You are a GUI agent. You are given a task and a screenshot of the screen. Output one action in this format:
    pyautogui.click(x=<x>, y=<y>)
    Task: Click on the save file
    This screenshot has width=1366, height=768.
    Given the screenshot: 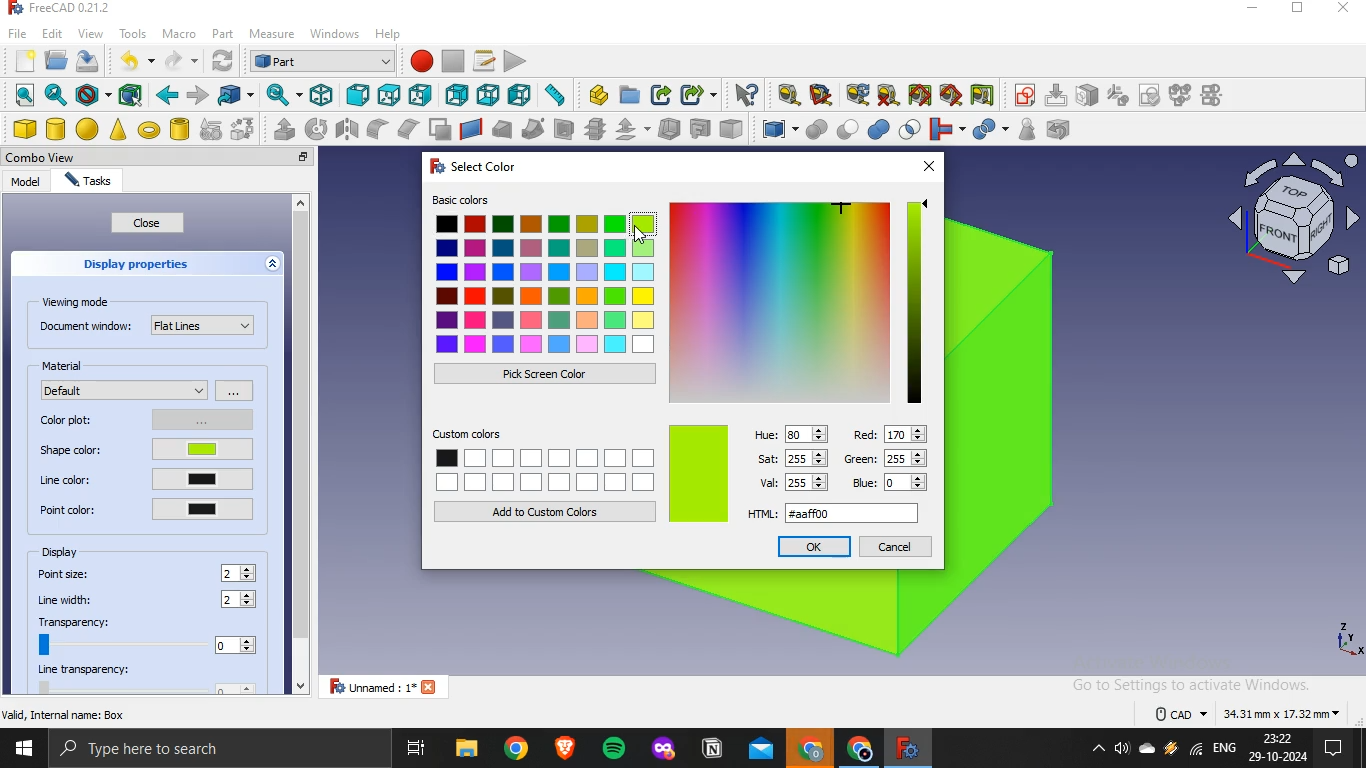 What is the action you would take?
    pyautogui.click(x=88, y=61)
    